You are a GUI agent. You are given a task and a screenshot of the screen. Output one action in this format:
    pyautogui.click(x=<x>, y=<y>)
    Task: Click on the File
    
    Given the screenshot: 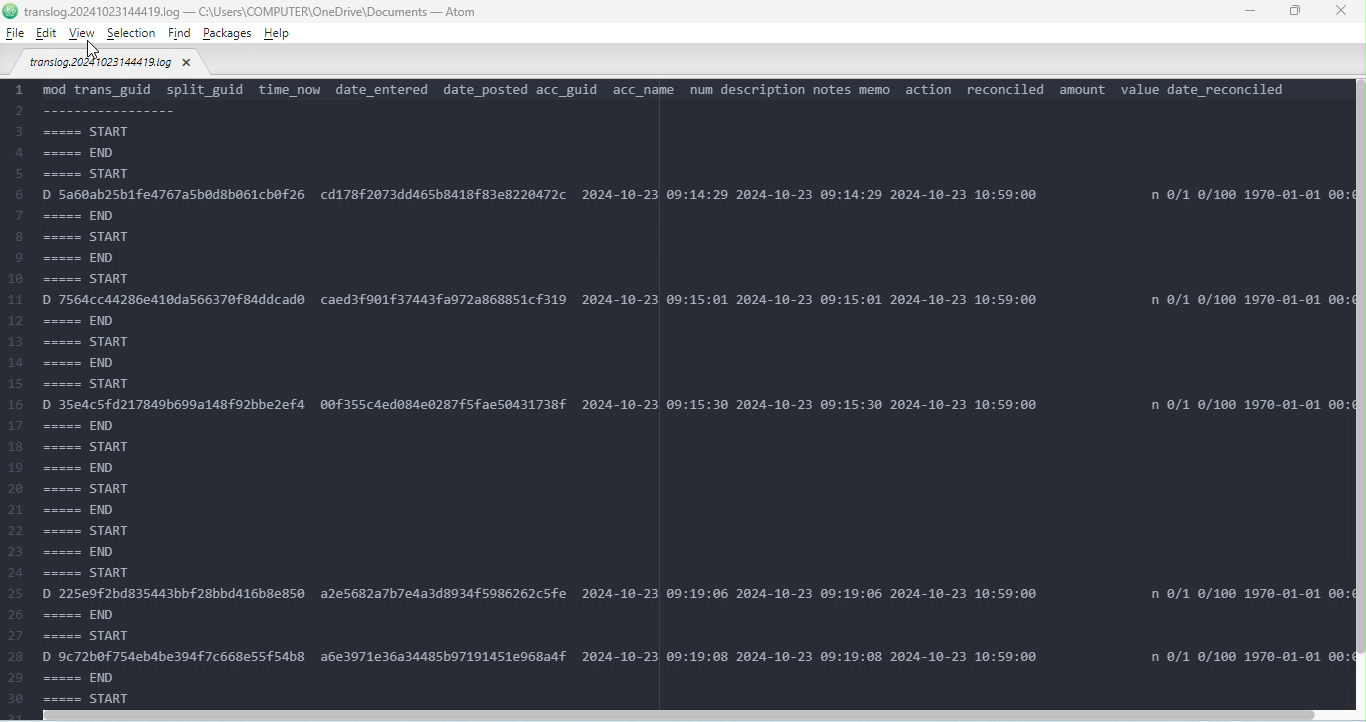 What is the action you would take?
    pyautogui.click(x=15, y=33)
    